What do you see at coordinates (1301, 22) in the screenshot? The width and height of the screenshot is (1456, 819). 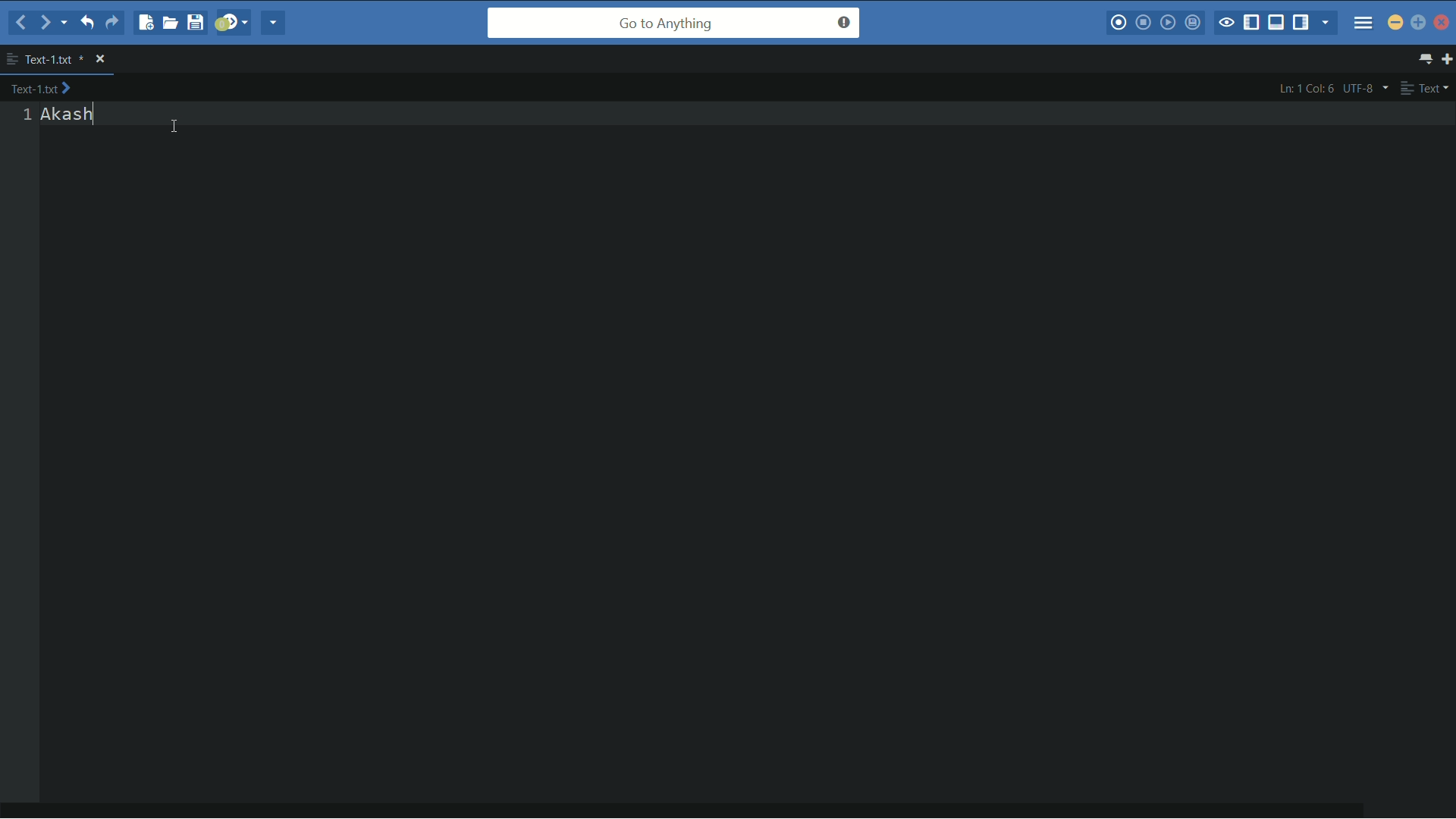 I see `show/hide right panel` at bounding box center [1301, 22].